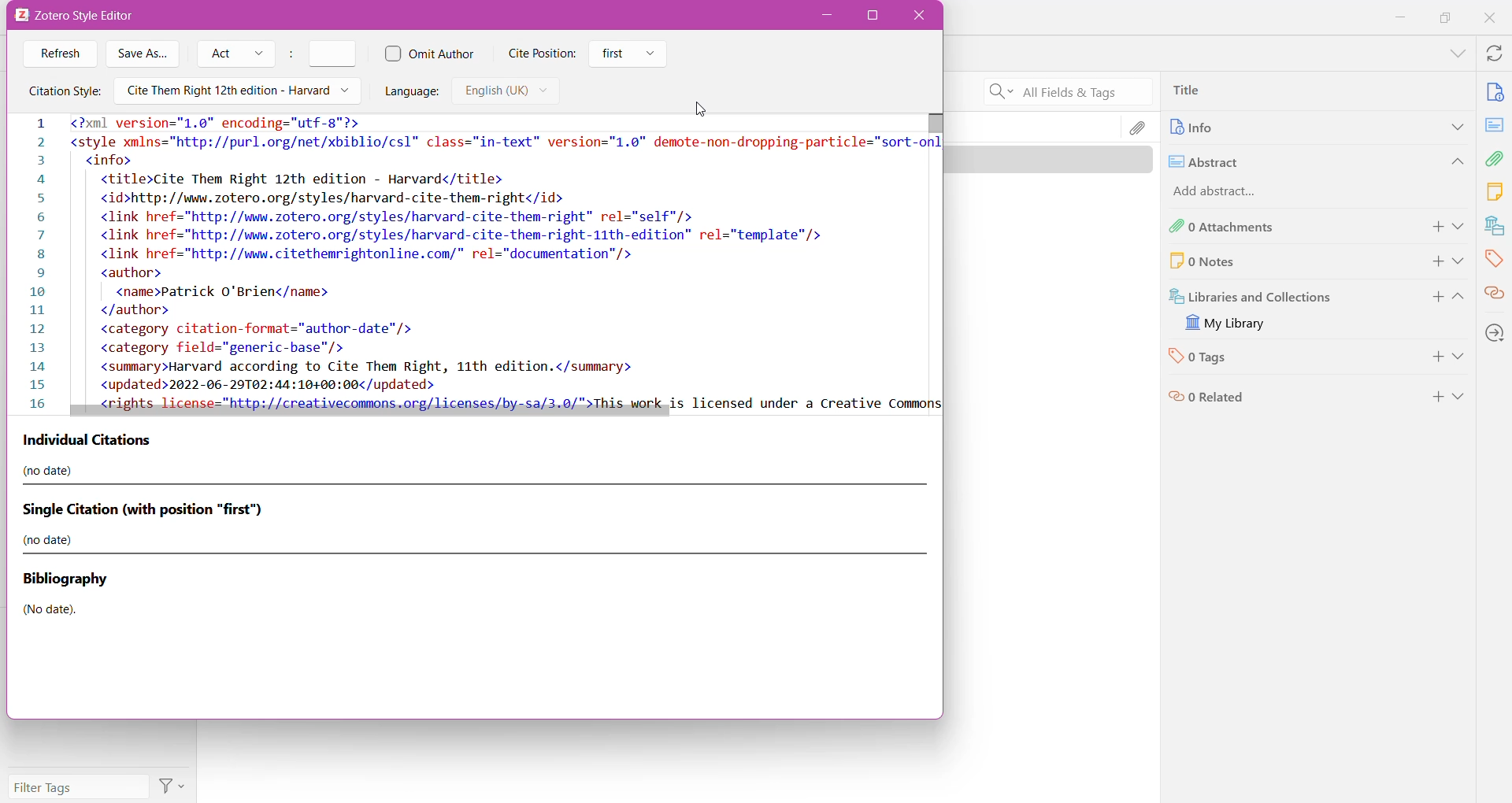  What do you see at coordinates (474, 259) in the screenshot?
I see `New selected Citation Style` at bounding box center [474, 259].